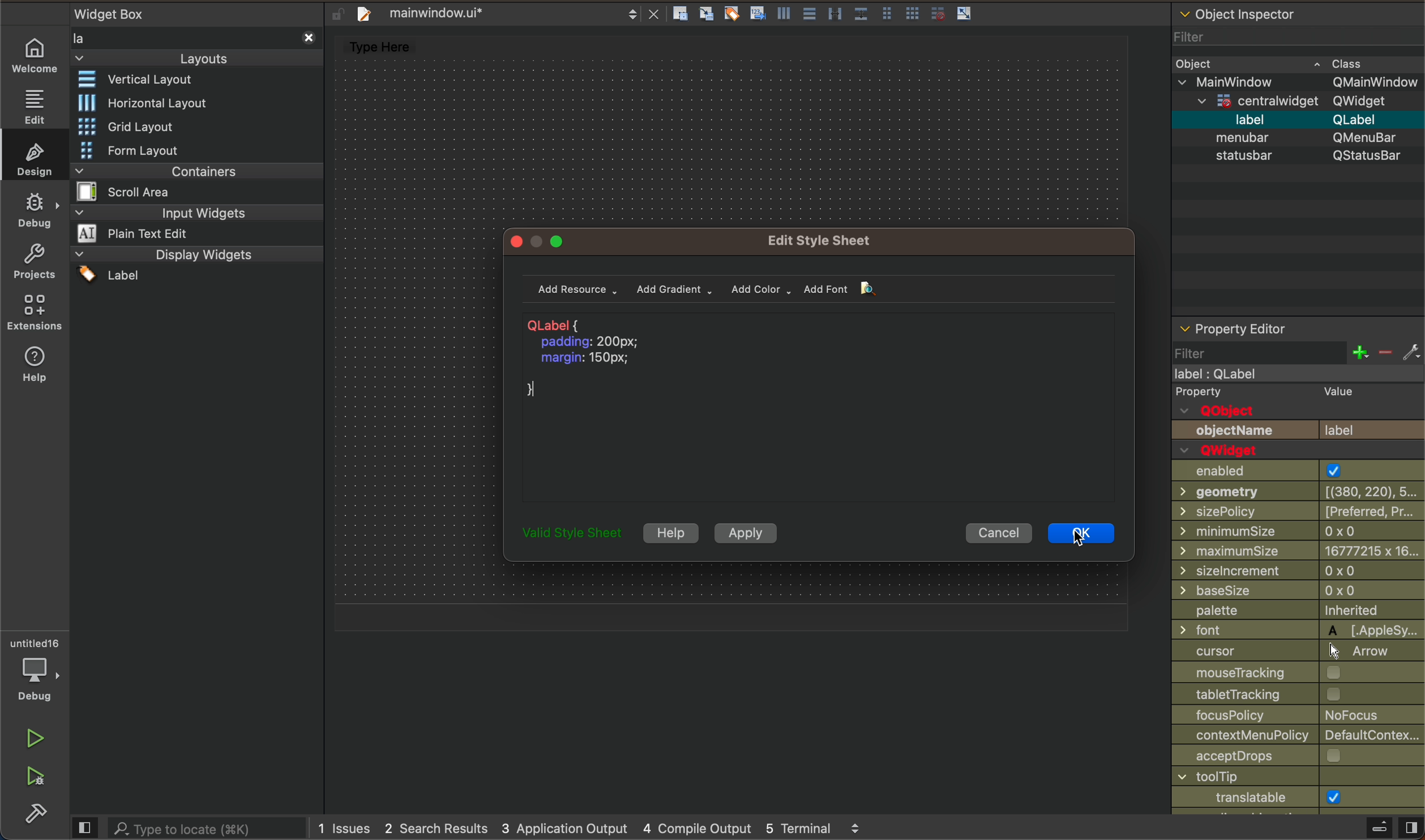 The image size is (1425, 840). What do you see at coordinates (675, 291) in the screenshot?
I see `Gradients ` at bounding box center [675, 291].